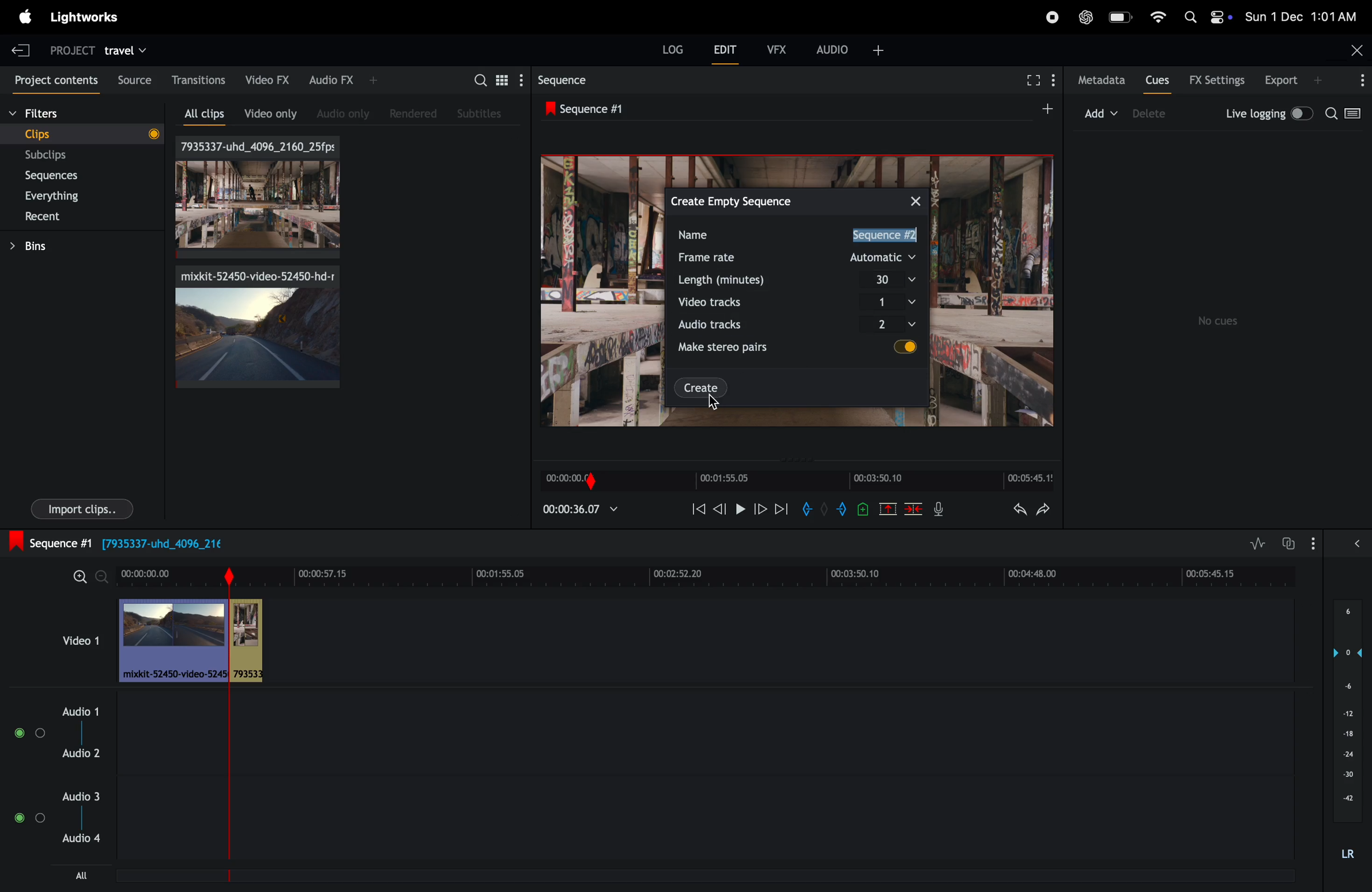 This screenshot has height=892, width=1372. Describe the element at coordinates (413, 113) in the screenshot. I see `rendered` at that location.